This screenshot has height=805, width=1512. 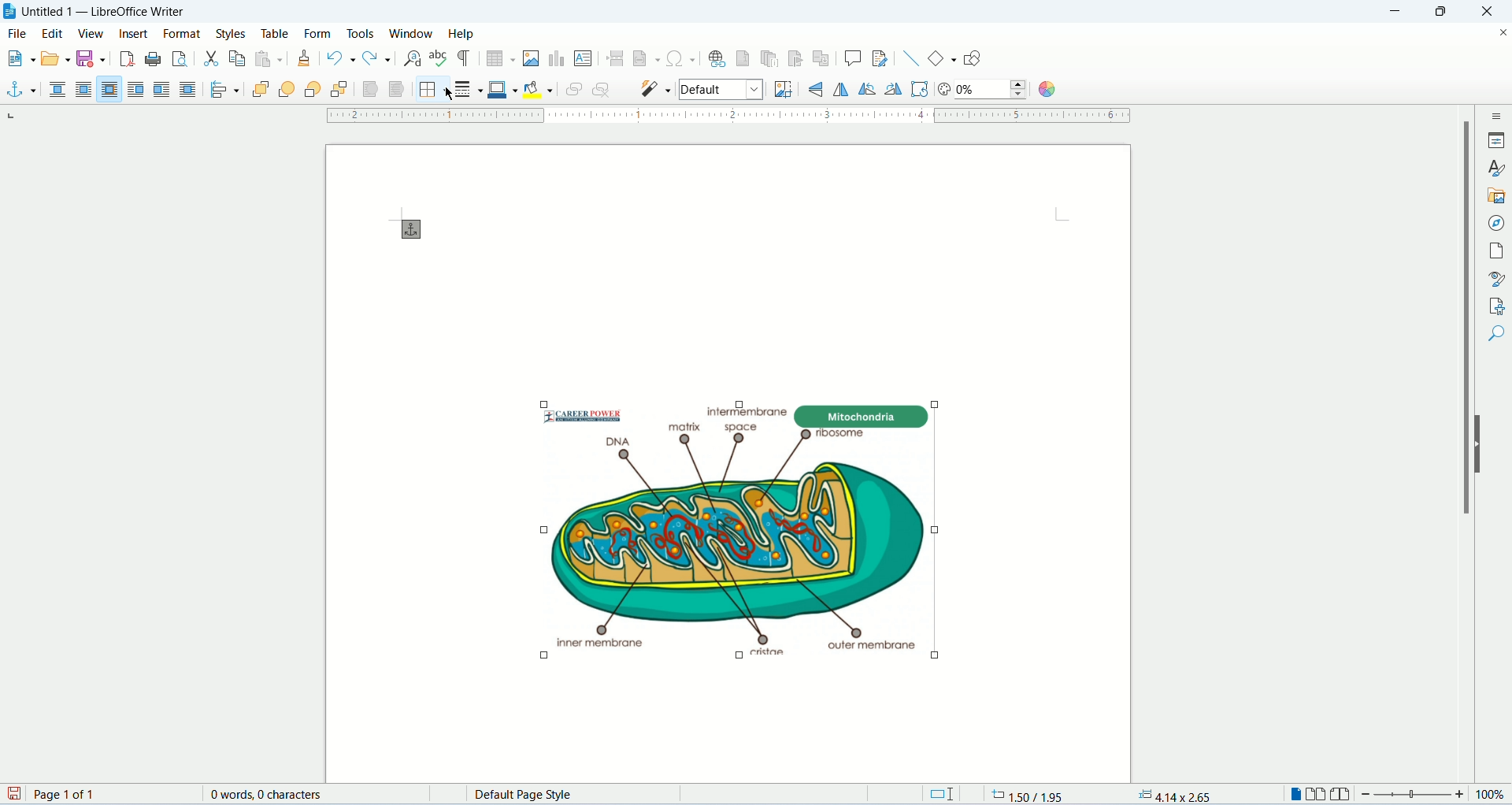 What do you see at coordinates (1496, 140) in the screenshot?
I see `properties` at bounding box center [1496, 140].